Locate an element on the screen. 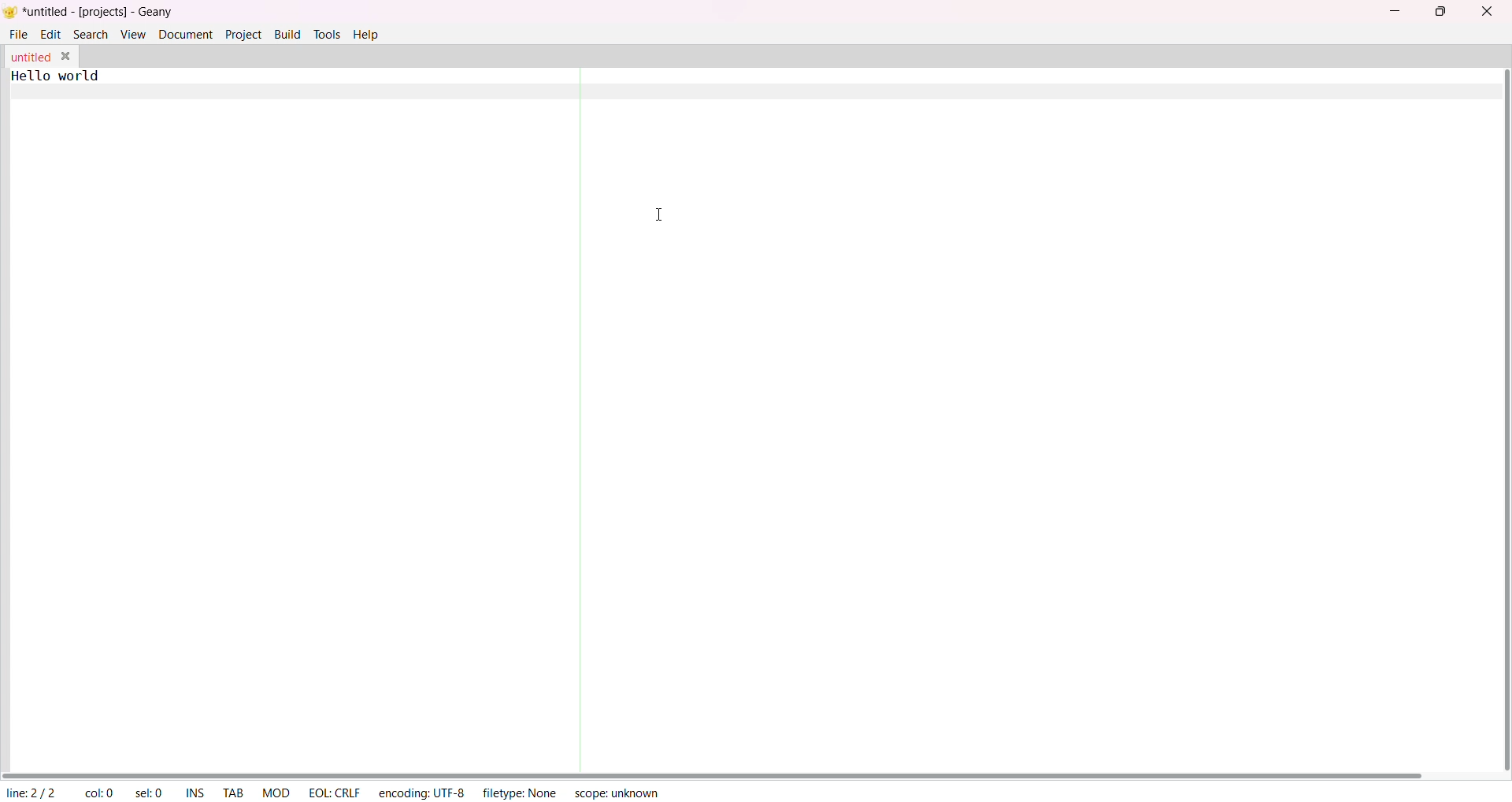  filetype: NONE is located at coordinates (520, 791).